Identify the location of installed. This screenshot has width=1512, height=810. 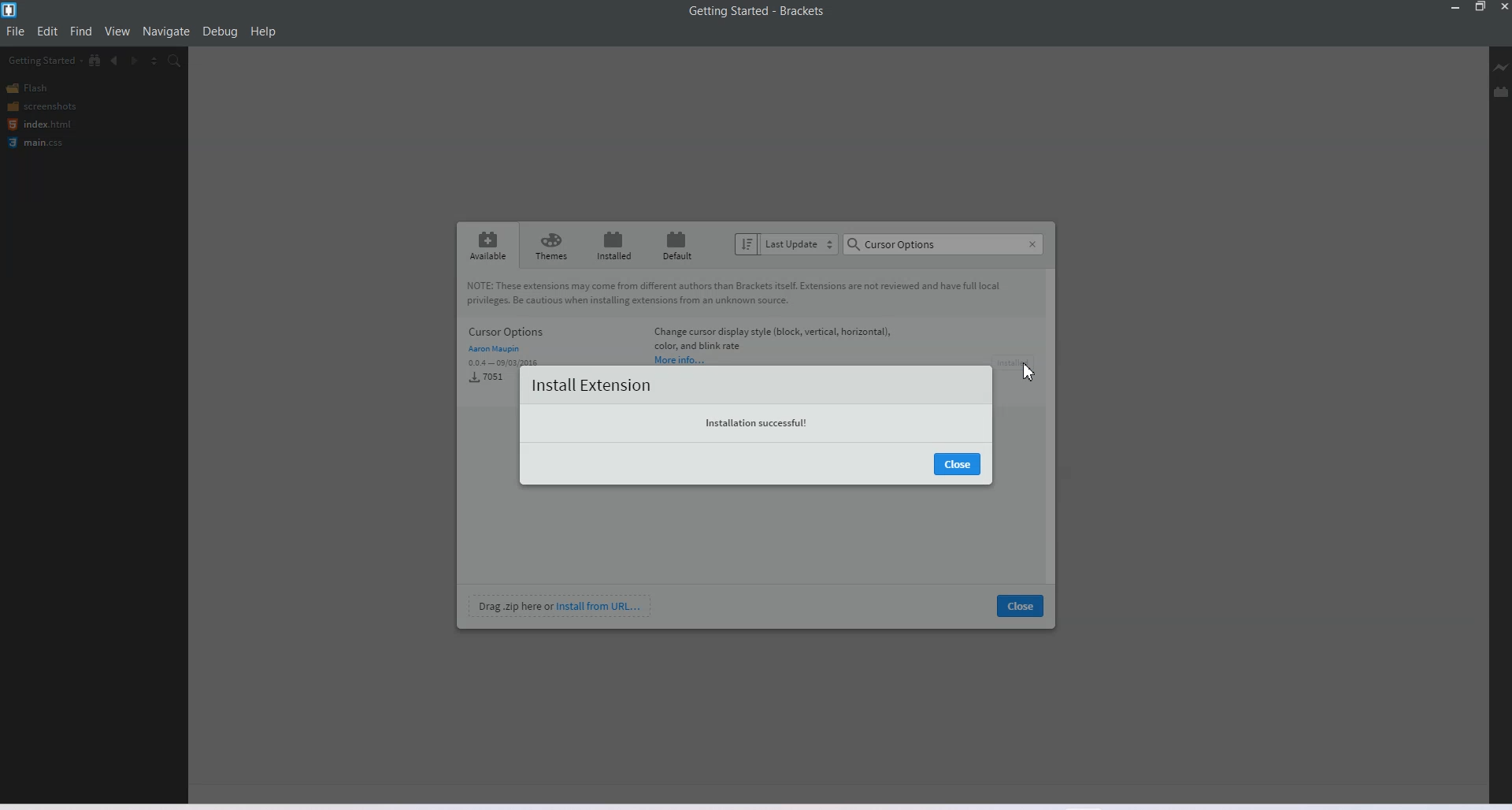
(615, 245).